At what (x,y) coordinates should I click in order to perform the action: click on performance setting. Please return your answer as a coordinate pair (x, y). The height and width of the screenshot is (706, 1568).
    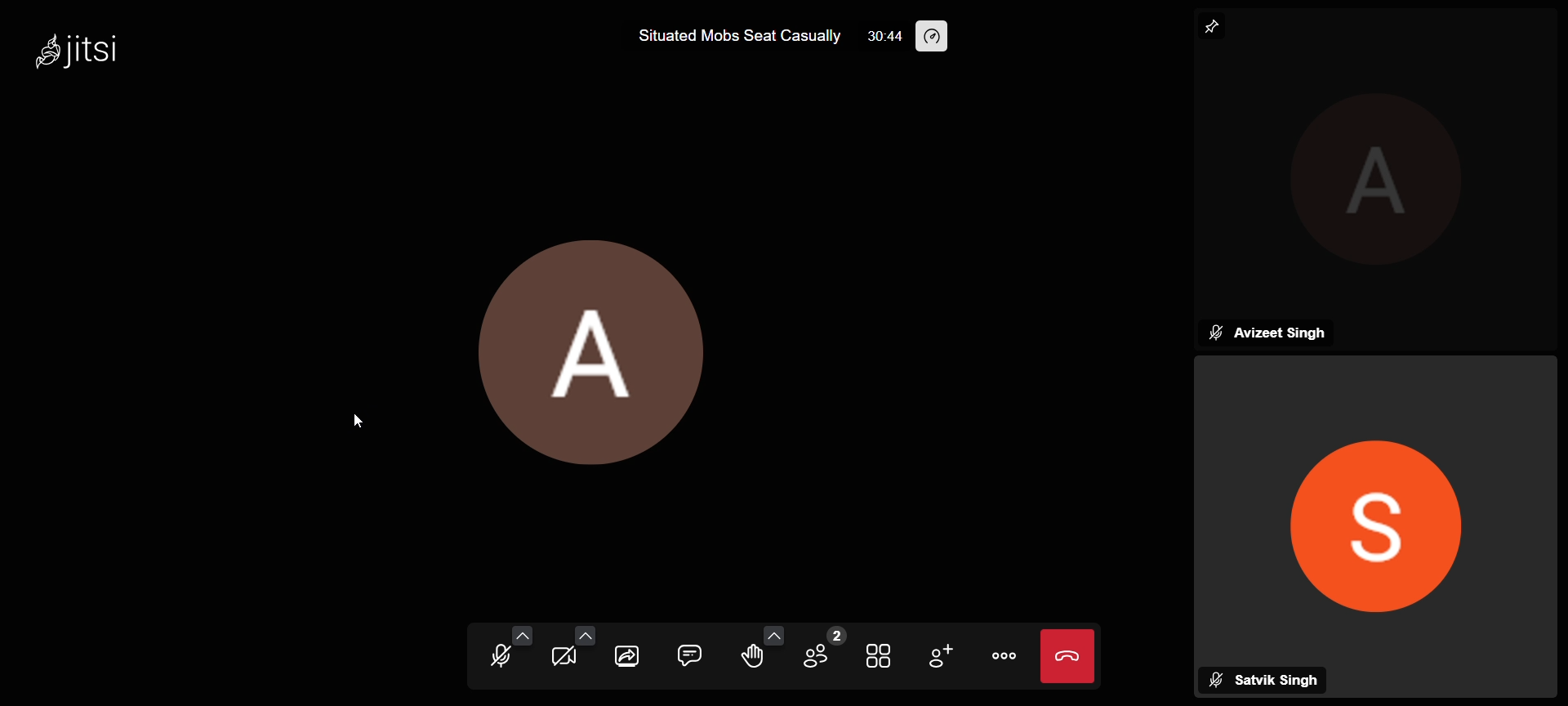
    Looking at the image, I should click on (944, 35).